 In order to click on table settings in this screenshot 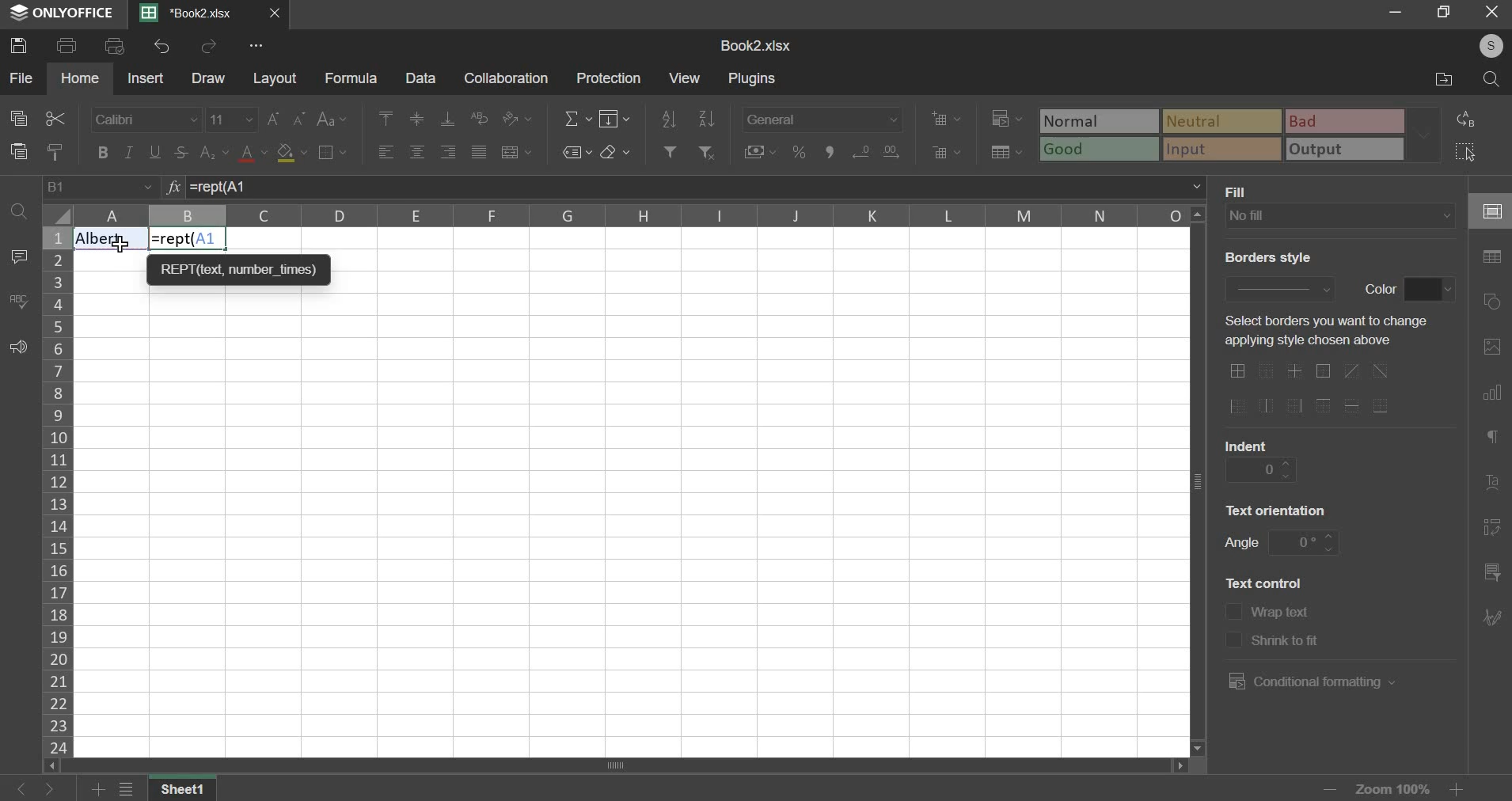, I will do `click(1493, 257)`.